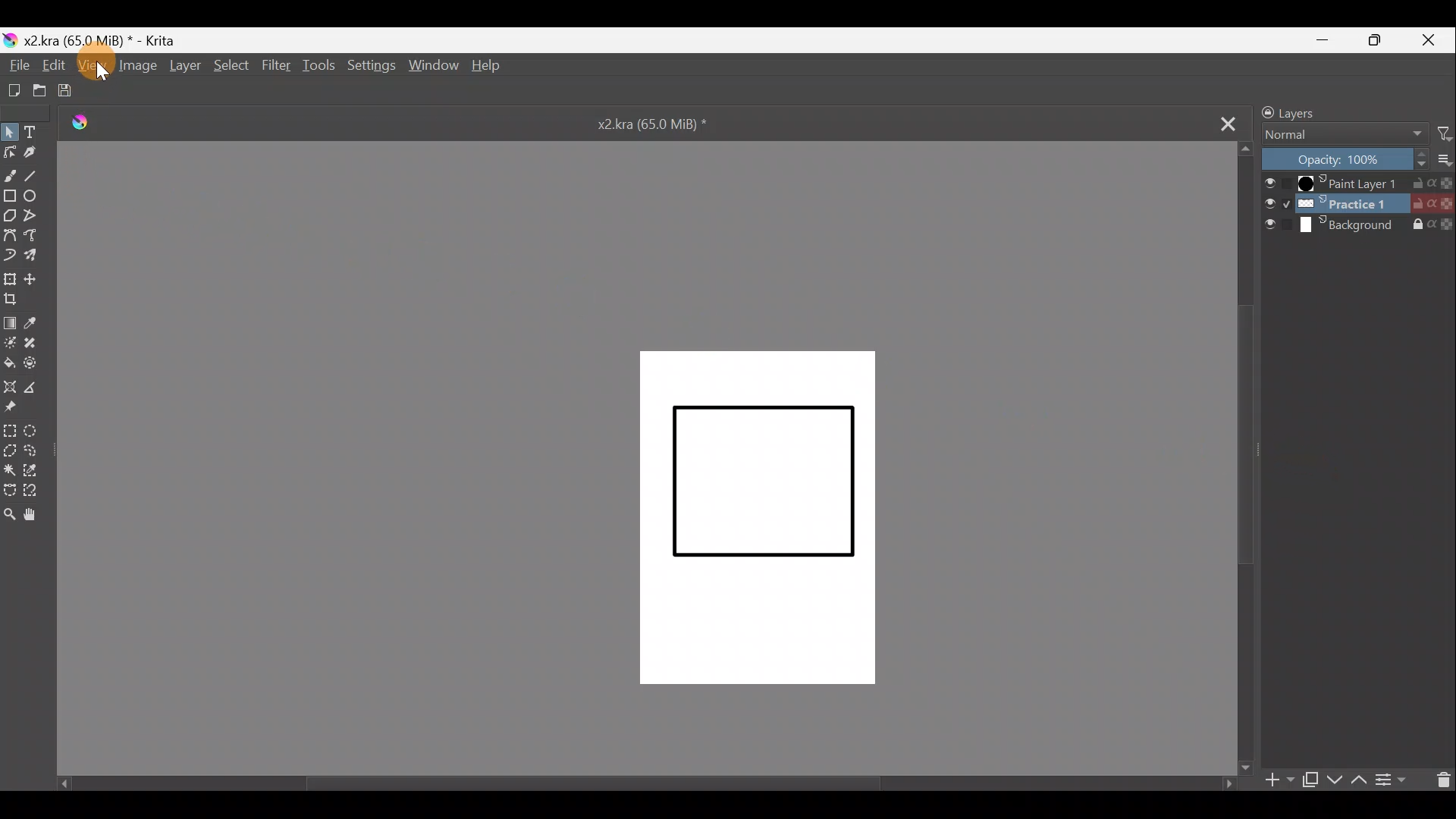 The image size is (1456, 819). I want to click on Sample a colour, so click(39, 323).